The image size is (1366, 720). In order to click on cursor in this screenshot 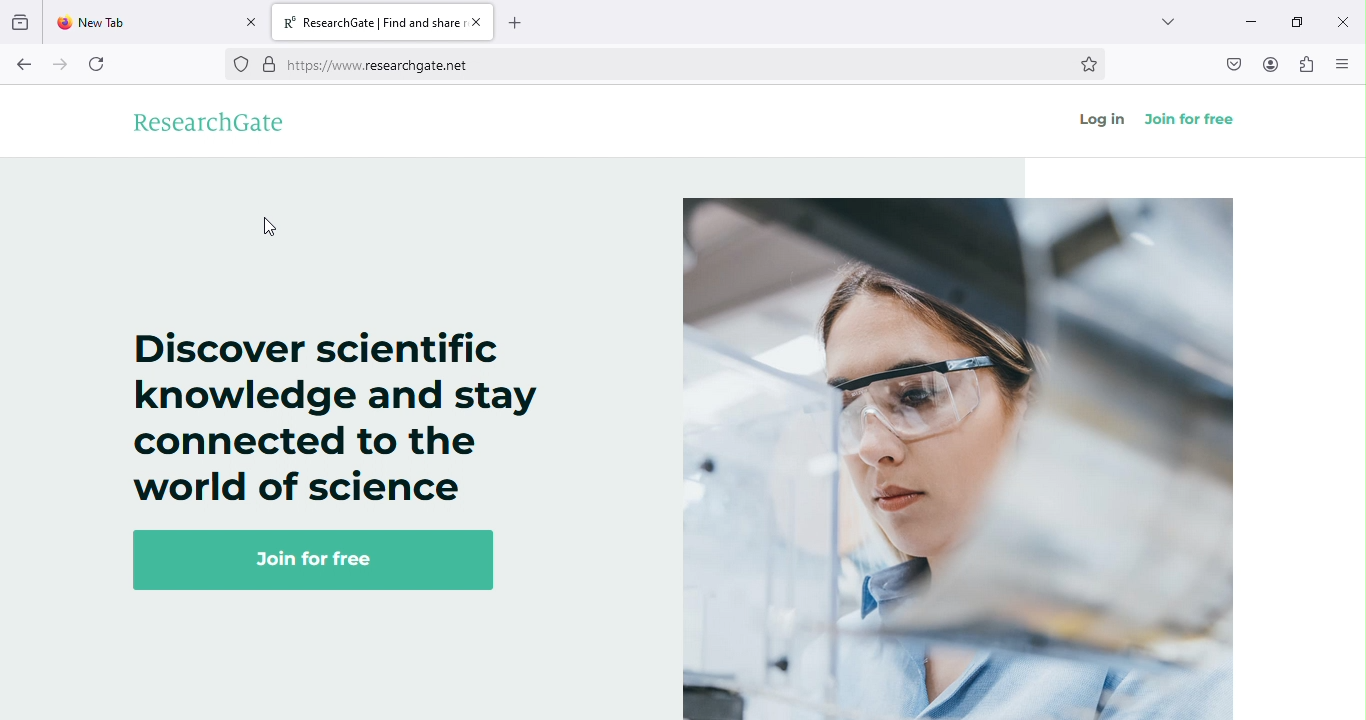, I will do `click(270, 228)`.